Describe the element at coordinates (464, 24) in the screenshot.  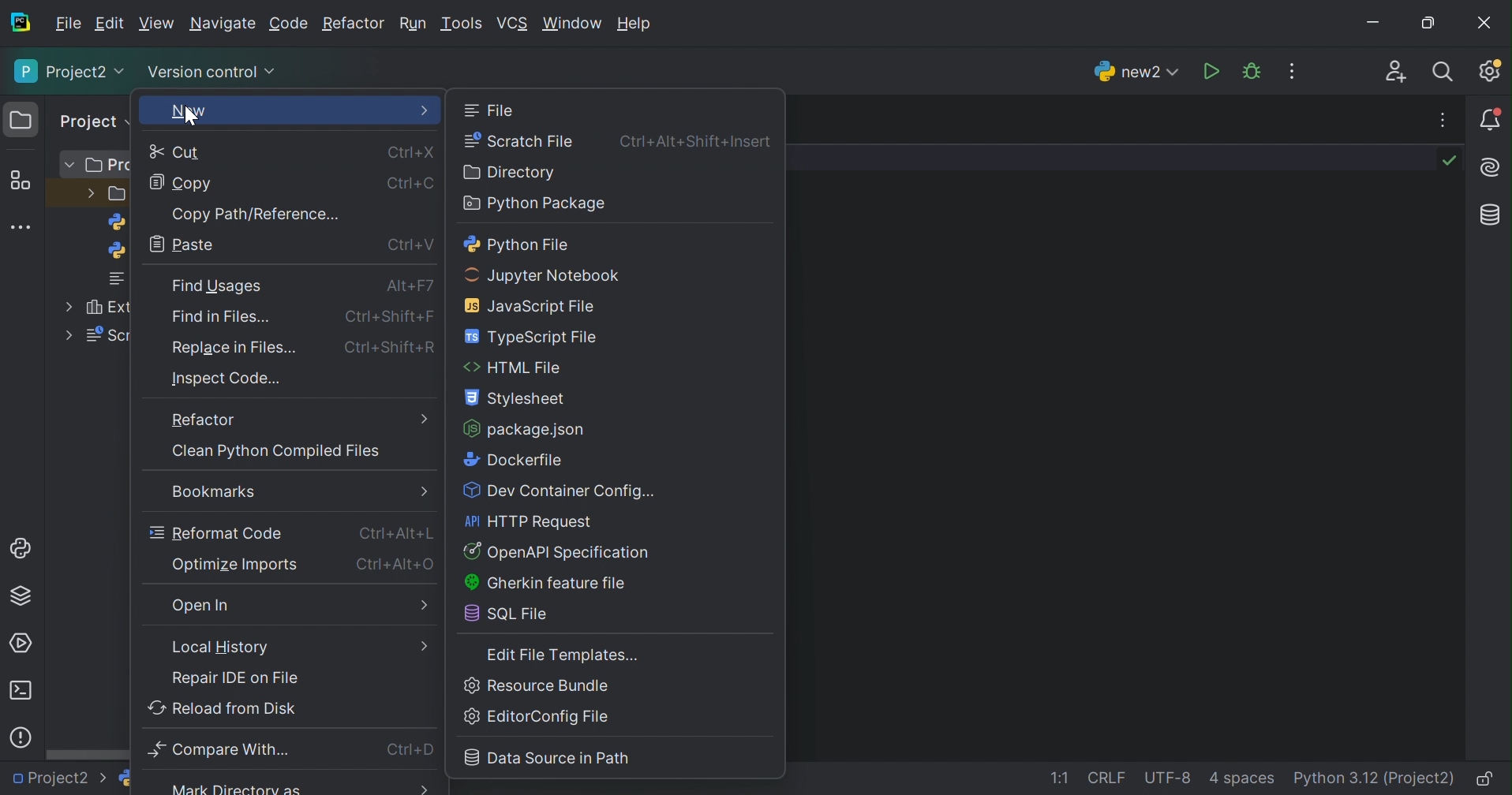
I see `Tools` at that location.